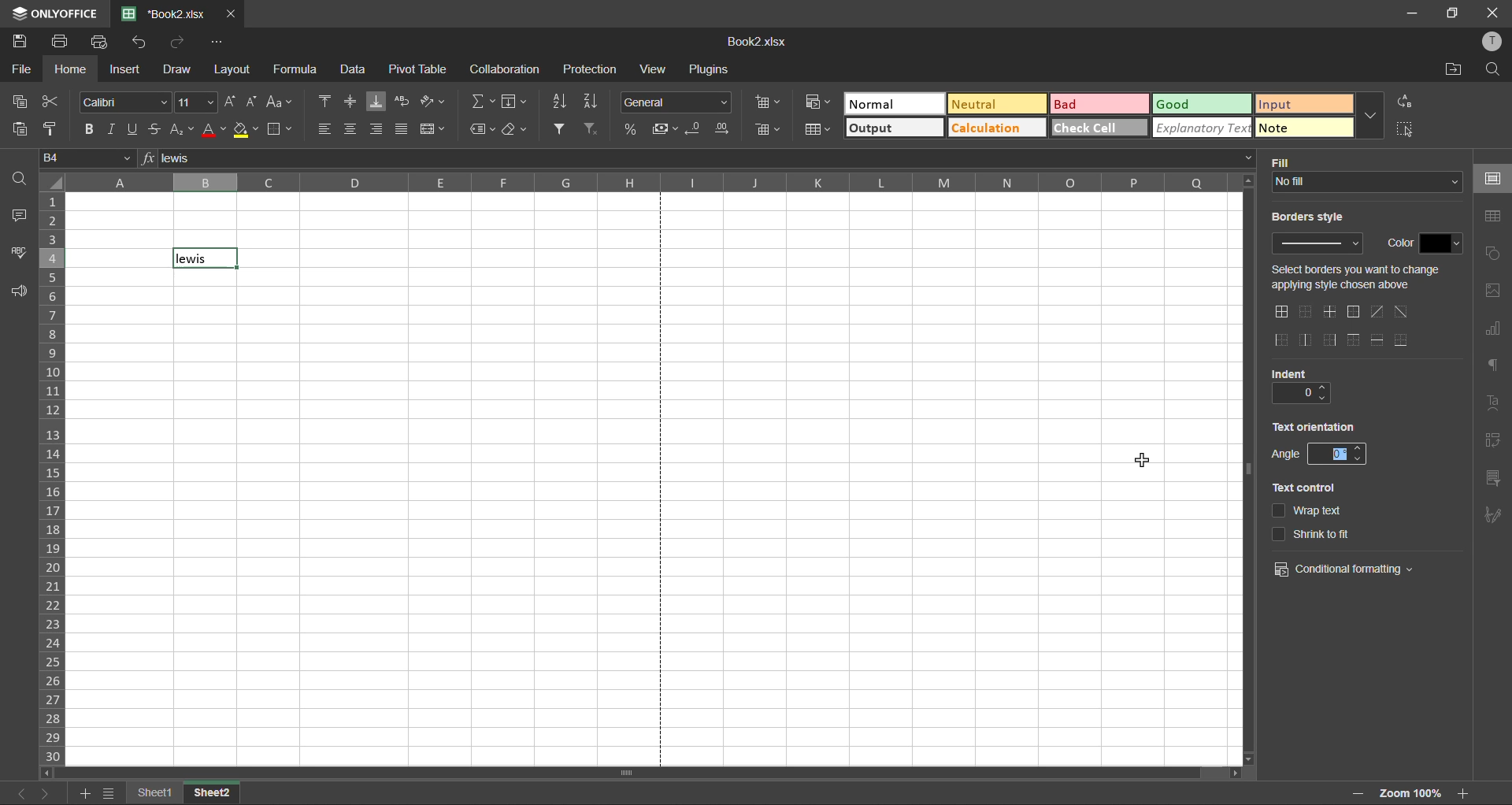 The width and height of the screenshot is (1512, 805). Describe the element at coordinates (707, 161) in the screenshot. I see `formula bar` at that location.